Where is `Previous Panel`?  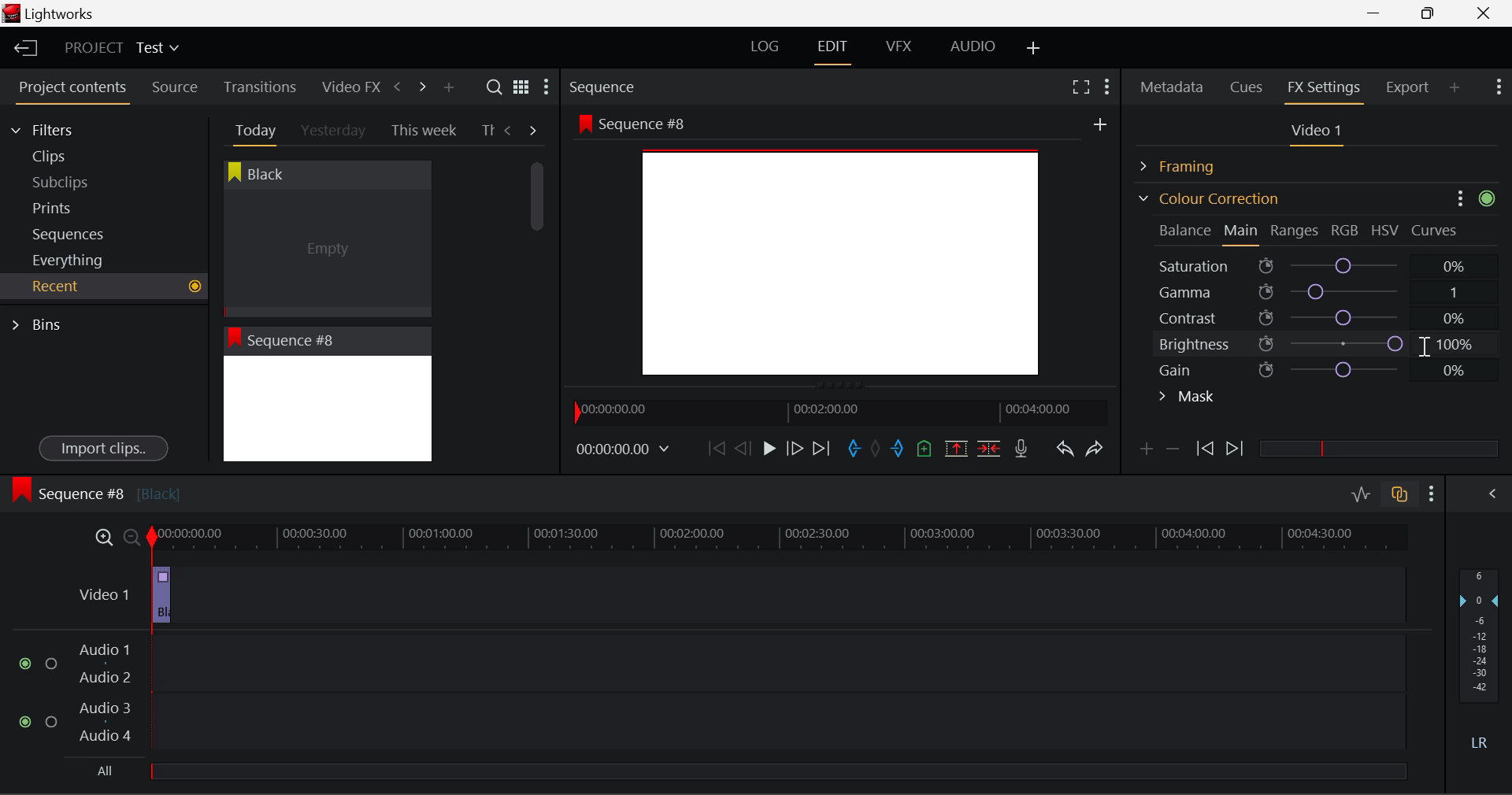
Previous Panel is located at coordinates (397, 87).